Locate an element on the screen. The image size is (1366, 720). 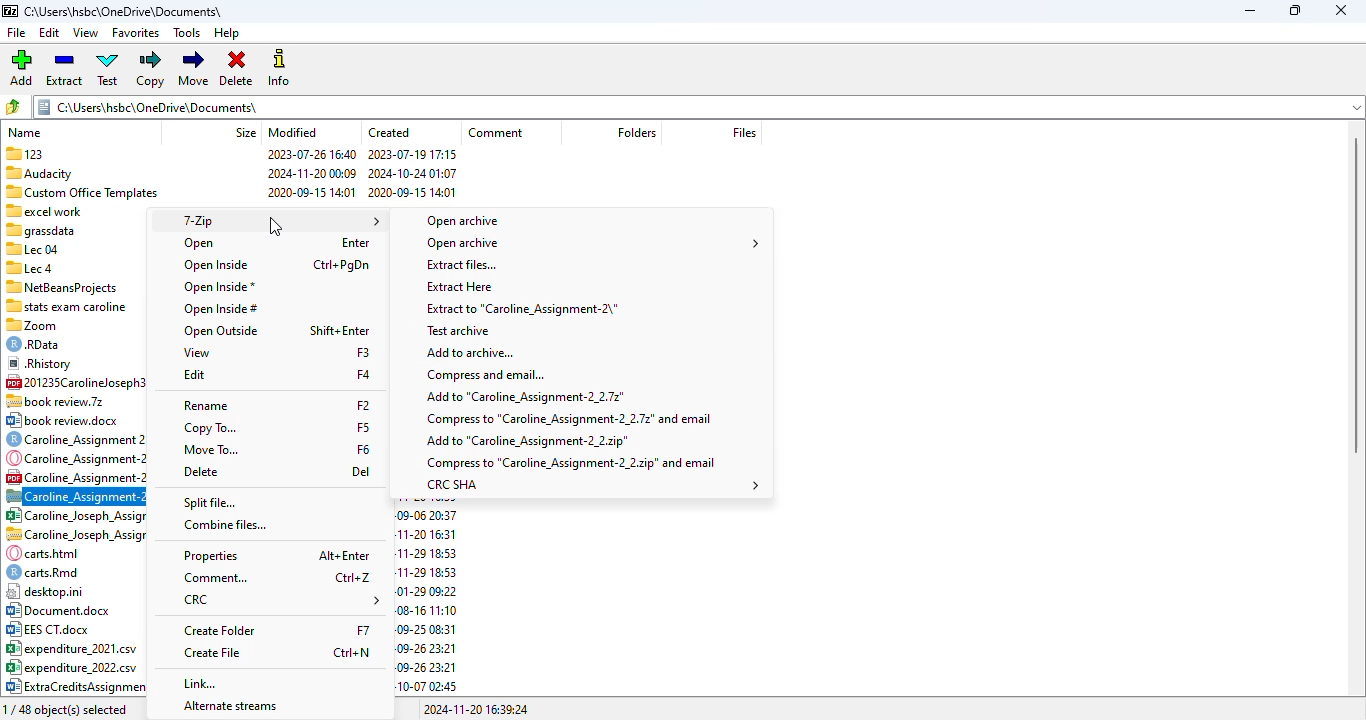
1/ 48 object(s) selected is located at coordinates (74, 708).